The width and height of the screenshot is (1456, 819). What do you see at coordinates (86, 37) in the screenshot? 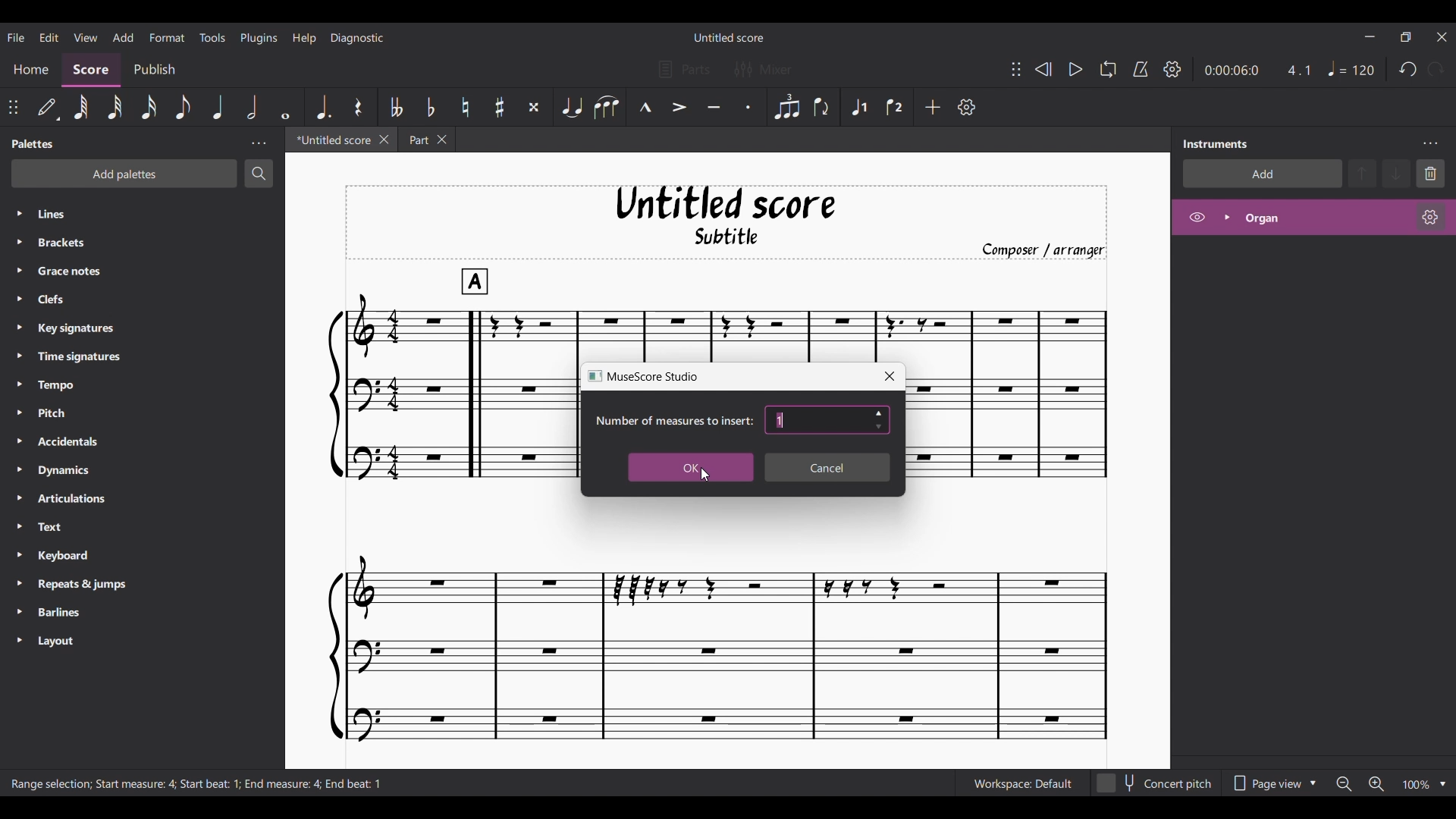
I see `View menu` at bounding box center [86, 37].